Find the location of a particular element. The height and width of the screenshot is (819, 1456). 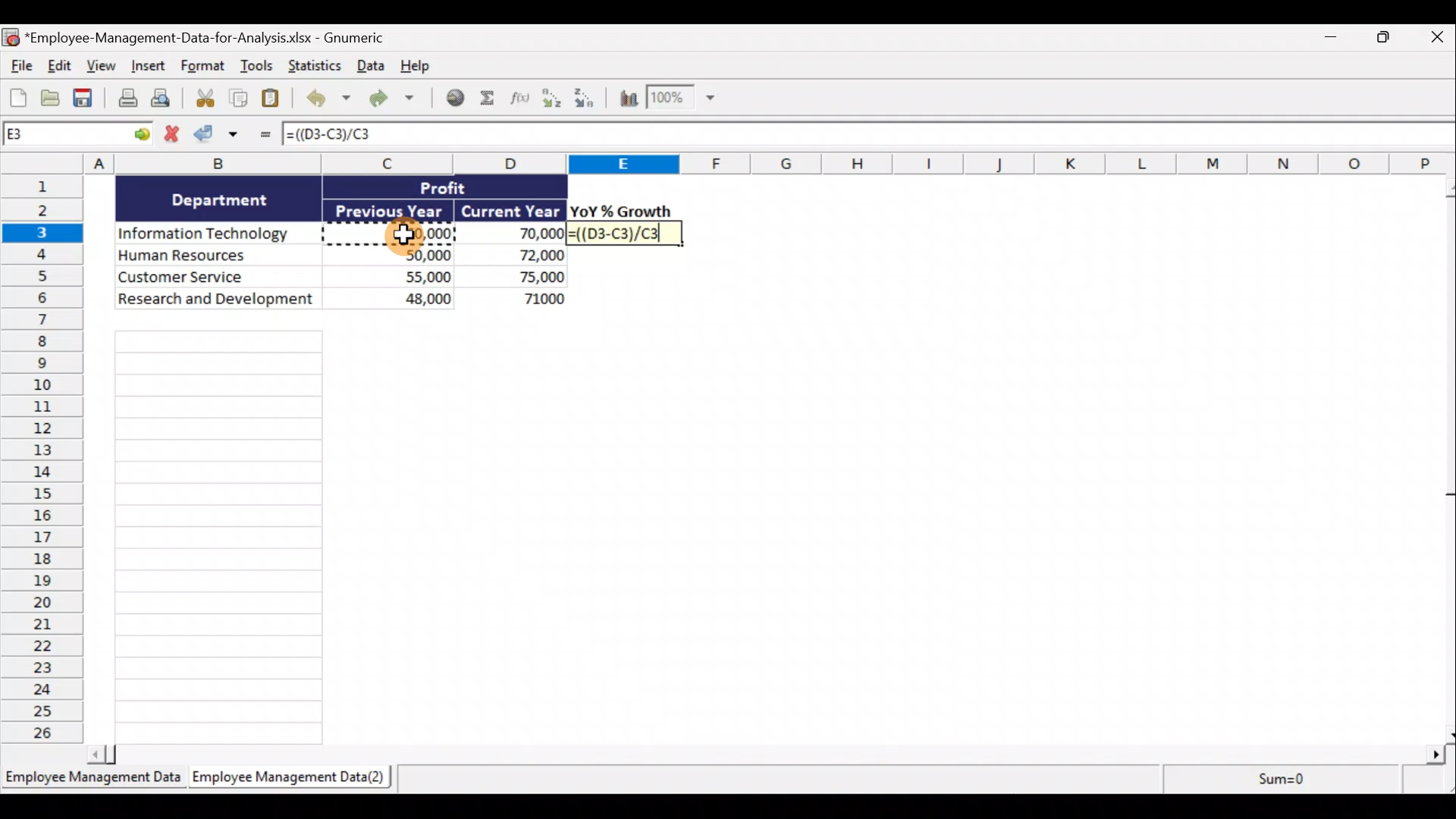

Insert hyperlink is located at coordinates (454, 99).